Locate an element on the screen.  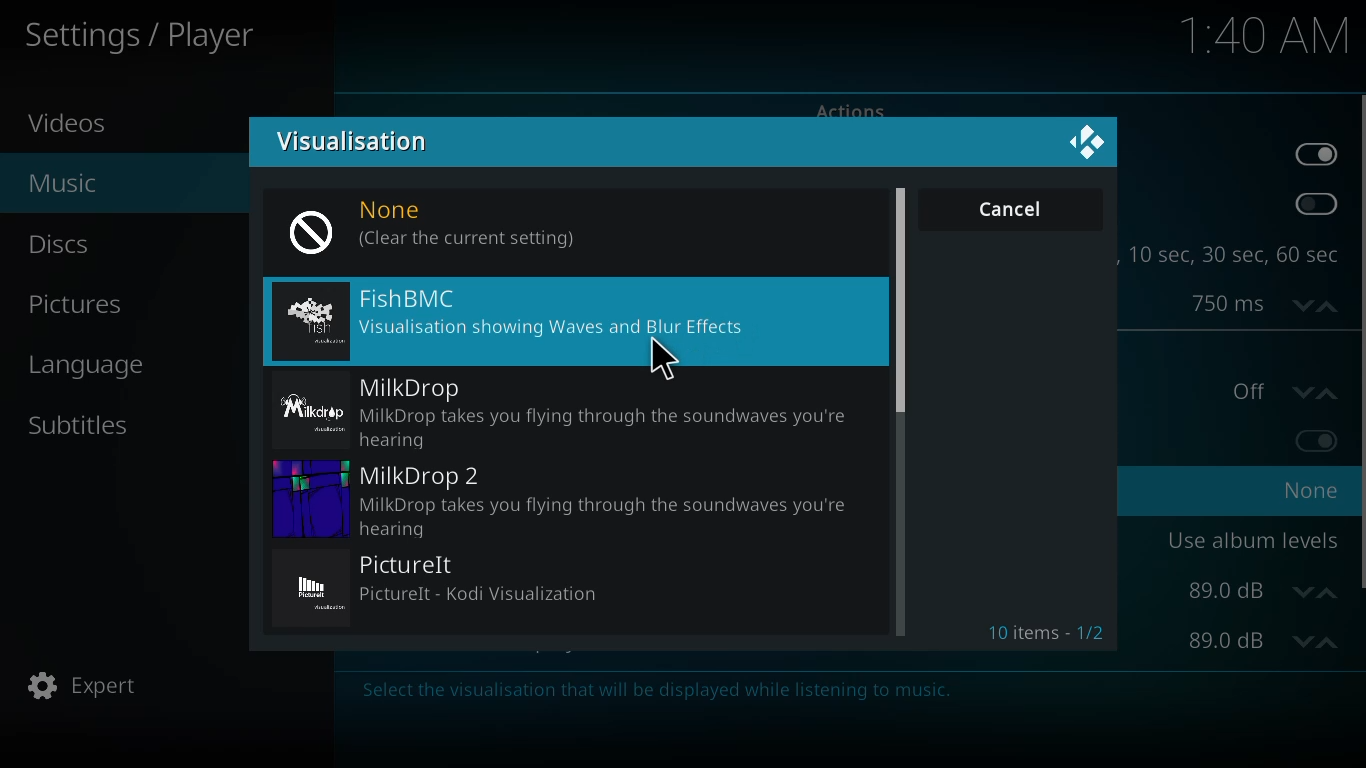
none is located at coordinates (578, 225).